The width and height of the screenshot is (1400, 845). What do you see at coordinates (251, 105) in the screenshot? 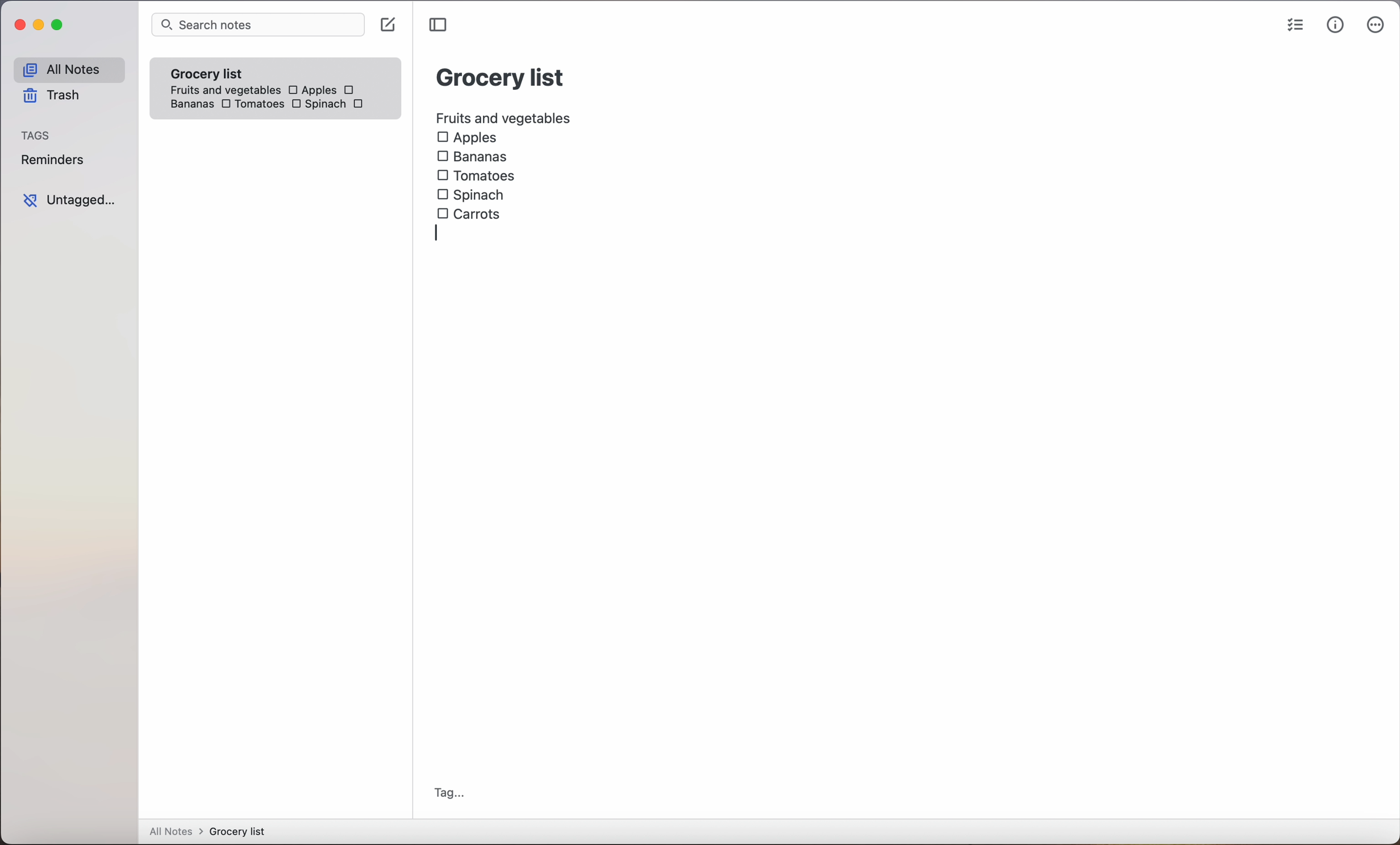
I see `Tomatoes checkbox` at bounding box center [251, 105].